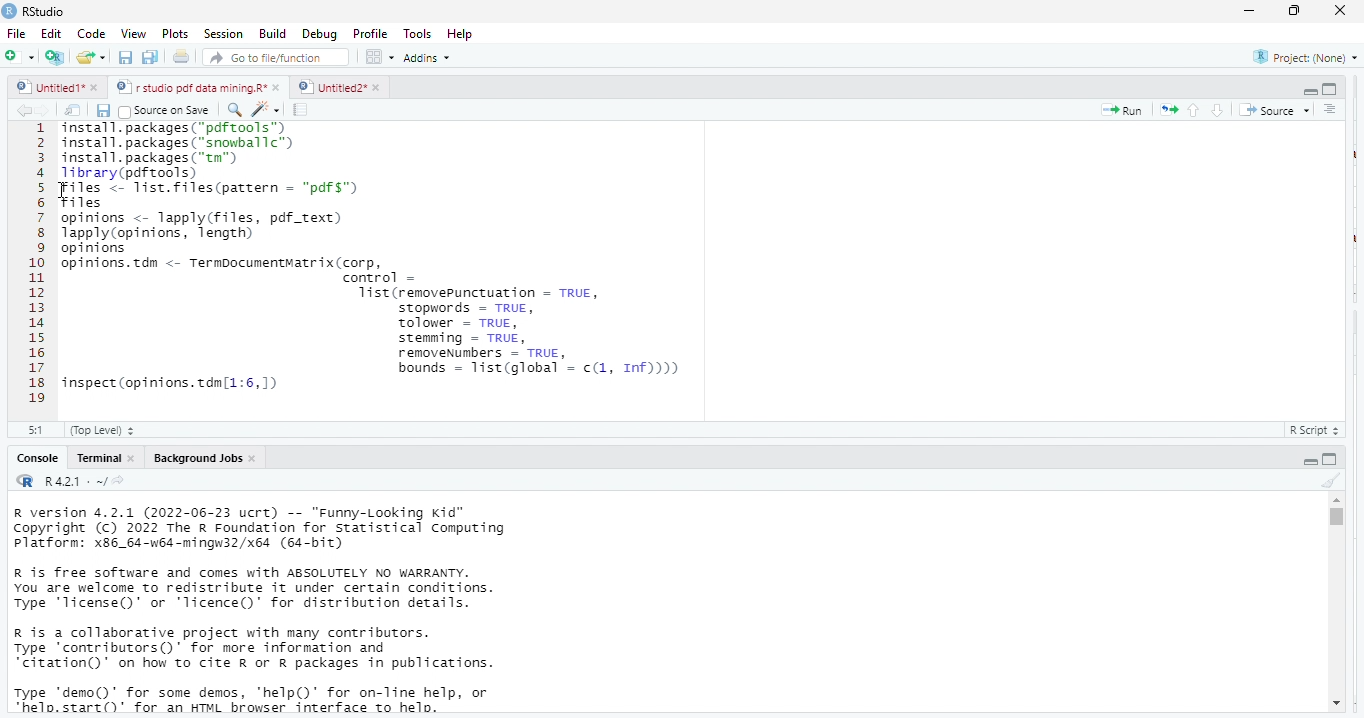  What do you see at coordinates (1122, 110) in the screenshot?
I see `run` at bounding box center [1122, 110].